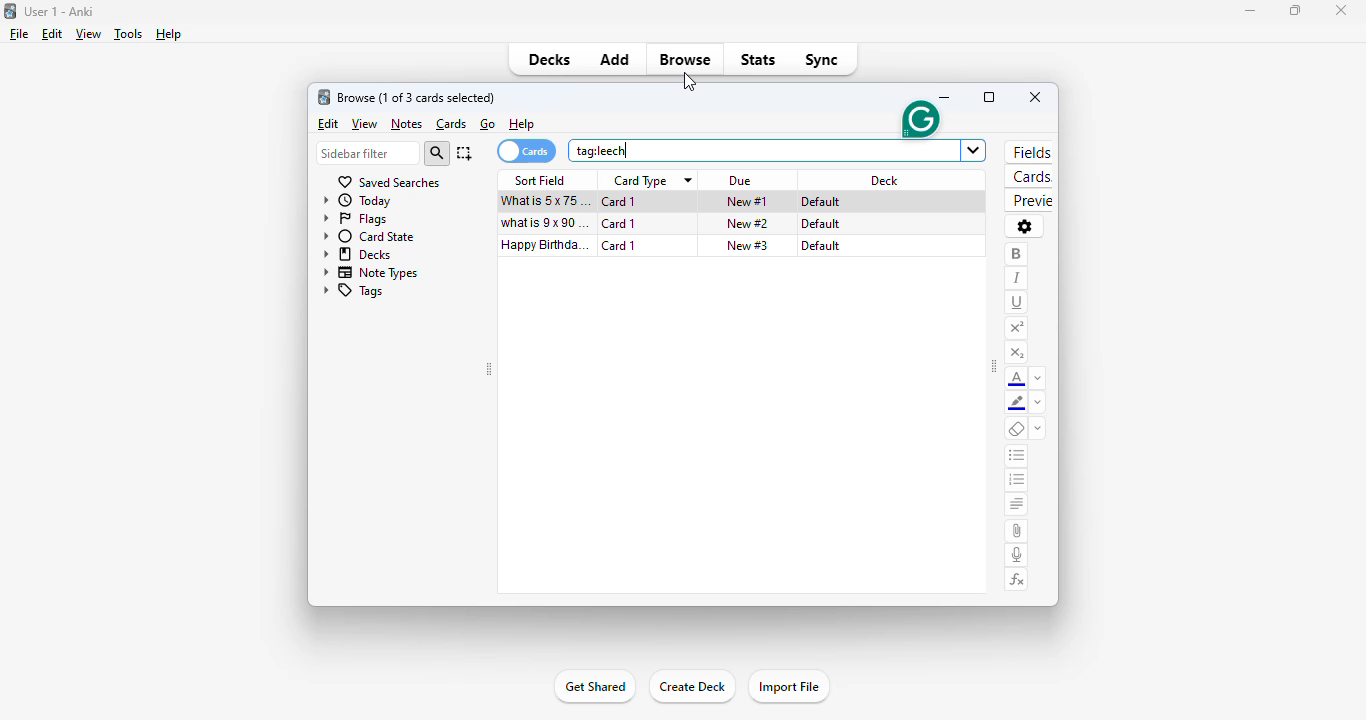 The image size is (1366, 720). Describe the element at coordinates (1017, 456) in the screenshot. I see `unordered list` at that location.